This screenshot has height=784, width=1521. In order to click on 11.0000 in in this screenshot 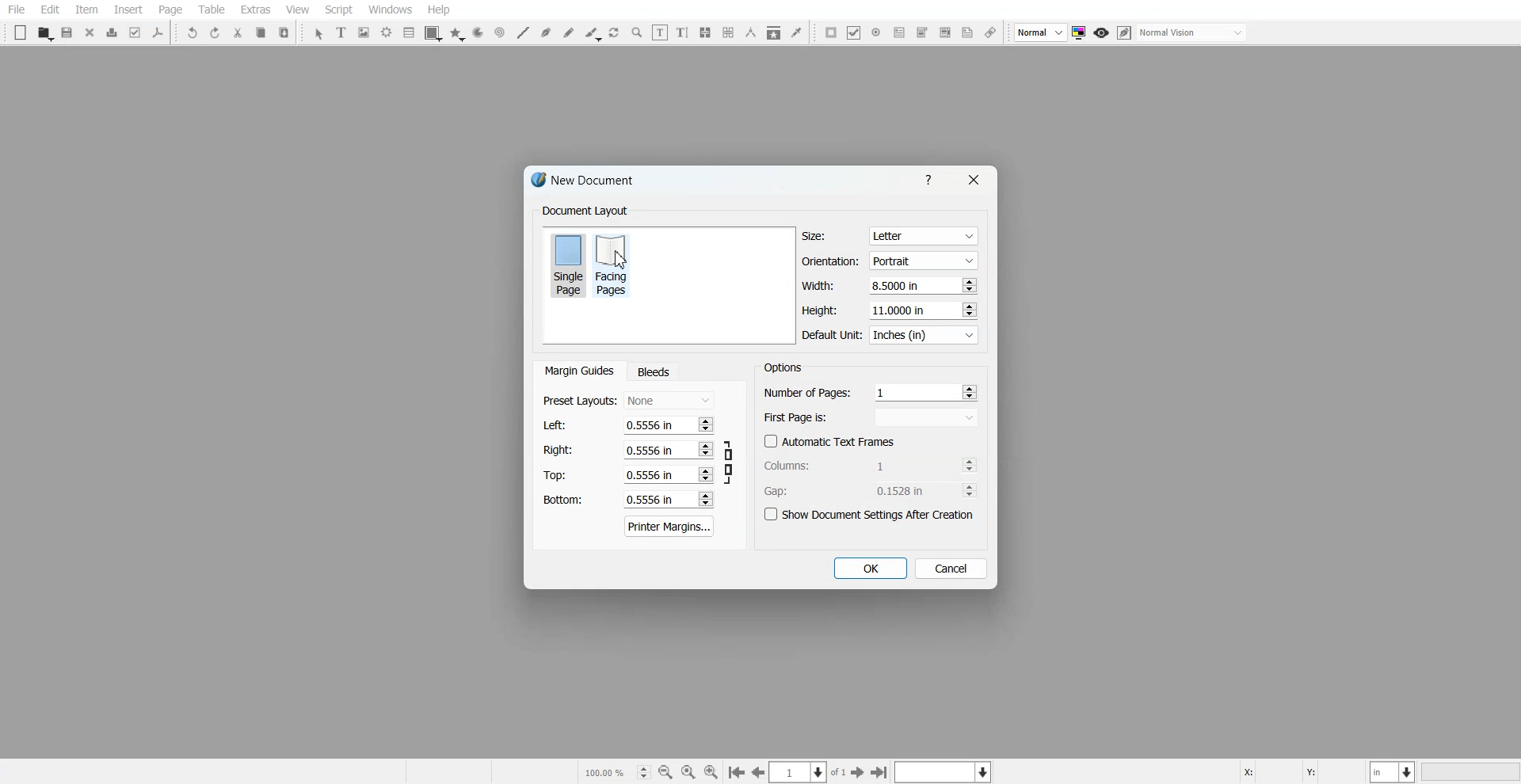, I will do `click(900, 310)`.